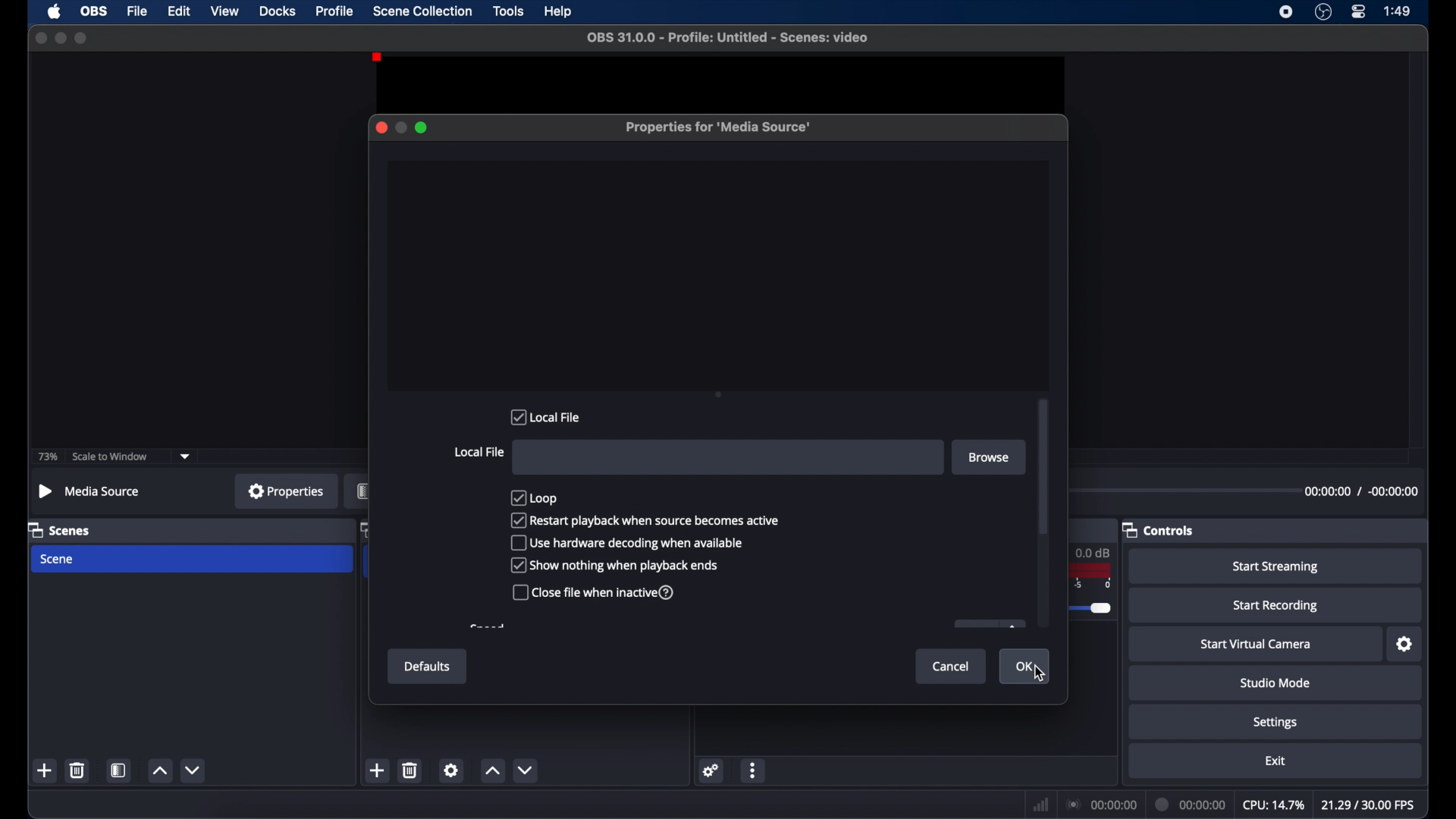  Describe the element at coordinates (401, 127) in the screenshot. I see `minimize` at that location.